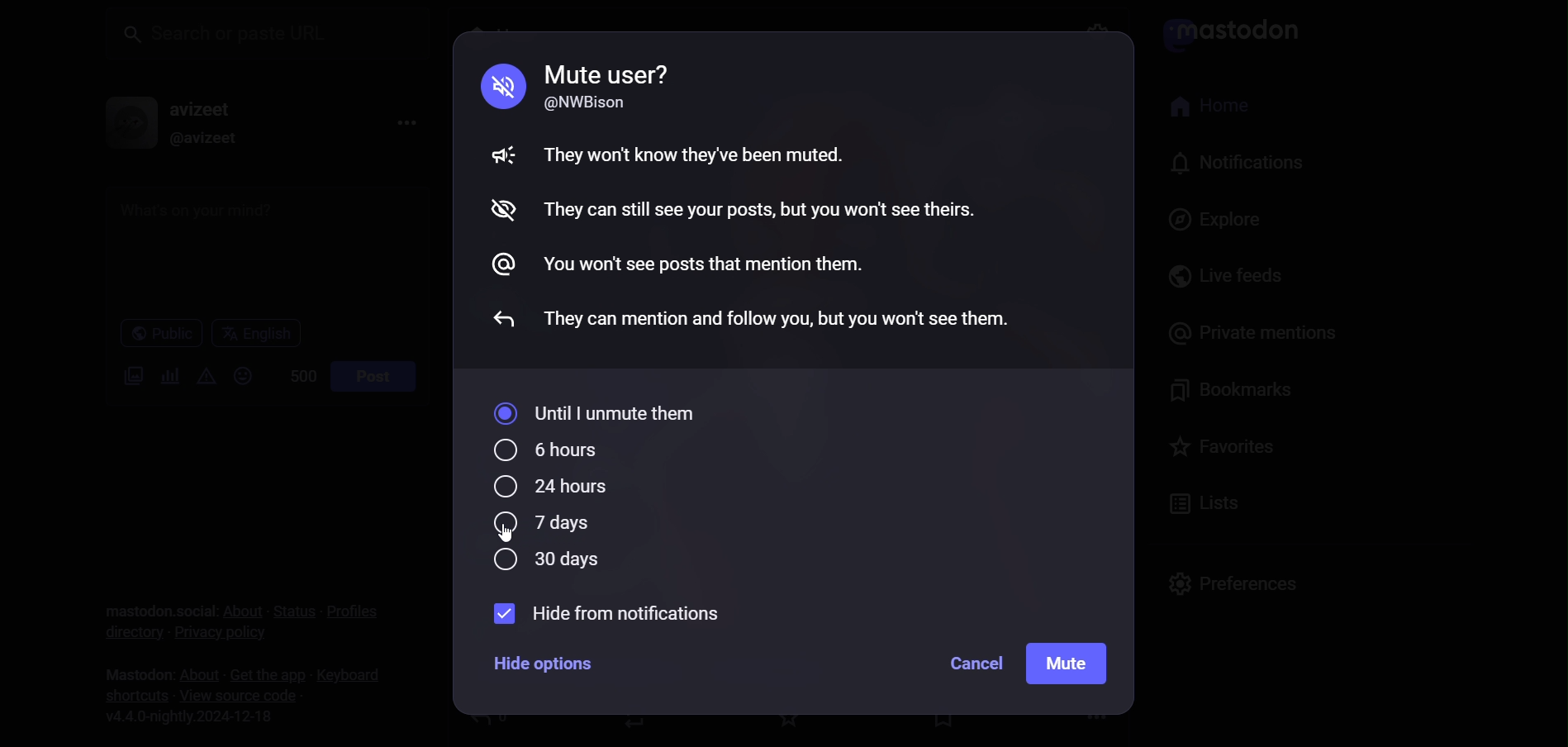 The width and height of the screenshot is (1568, 747). I want to click on mute, so click(1069, 664).